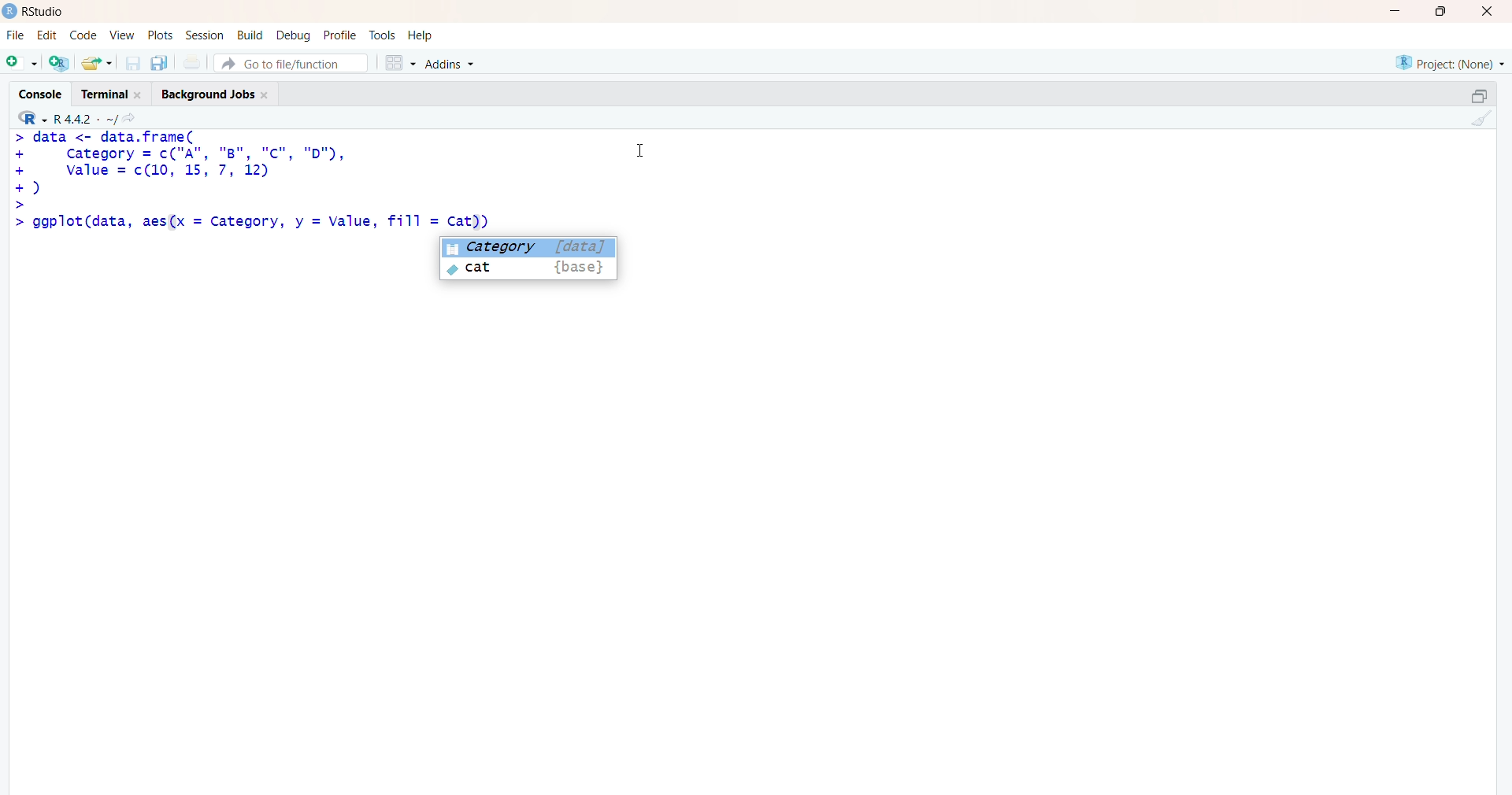  I want to click on profile, so click(339, 36).